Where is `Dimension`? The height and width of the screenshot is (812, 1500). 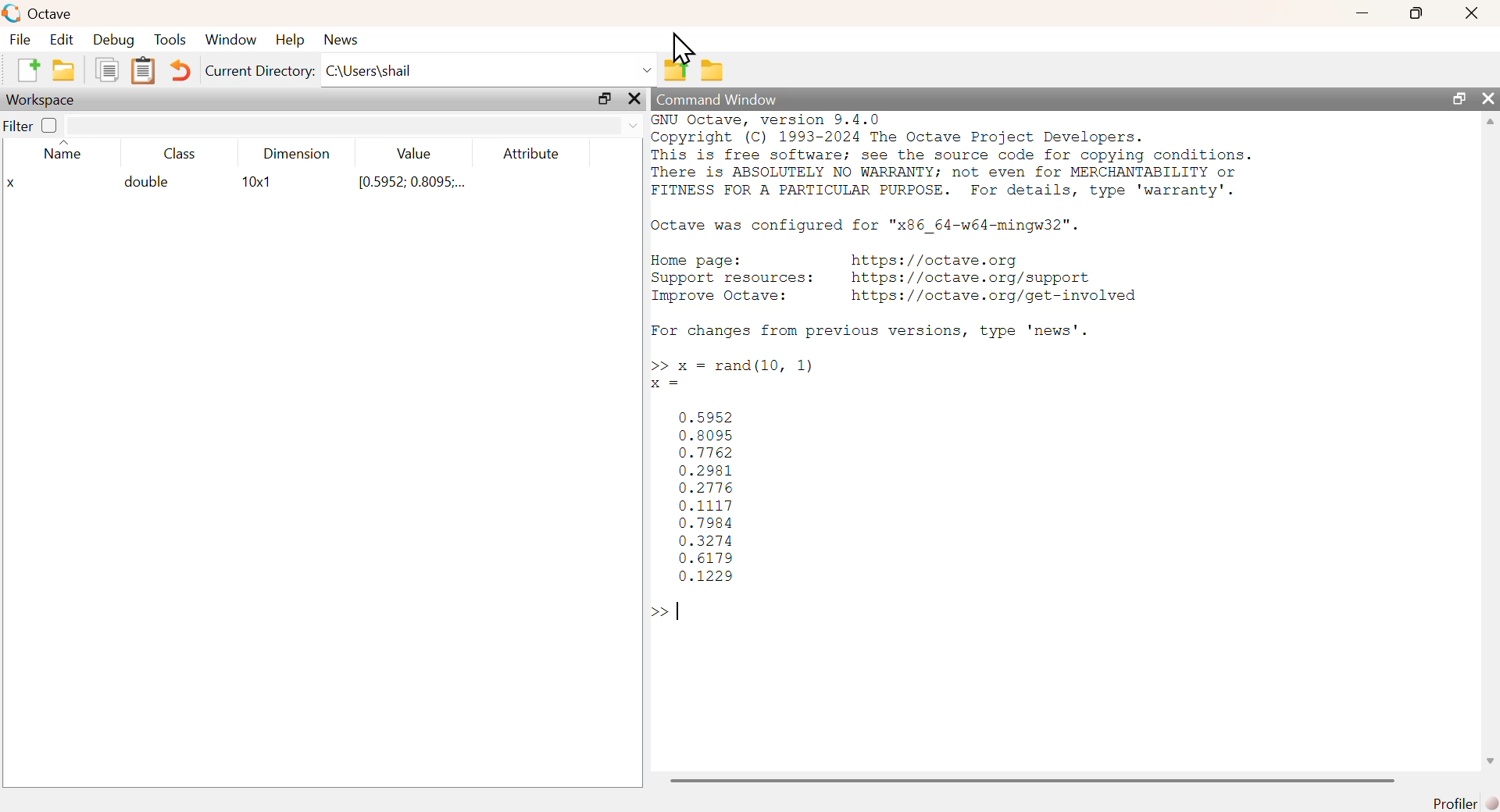
Dimension is located at coordinates (302, 154).